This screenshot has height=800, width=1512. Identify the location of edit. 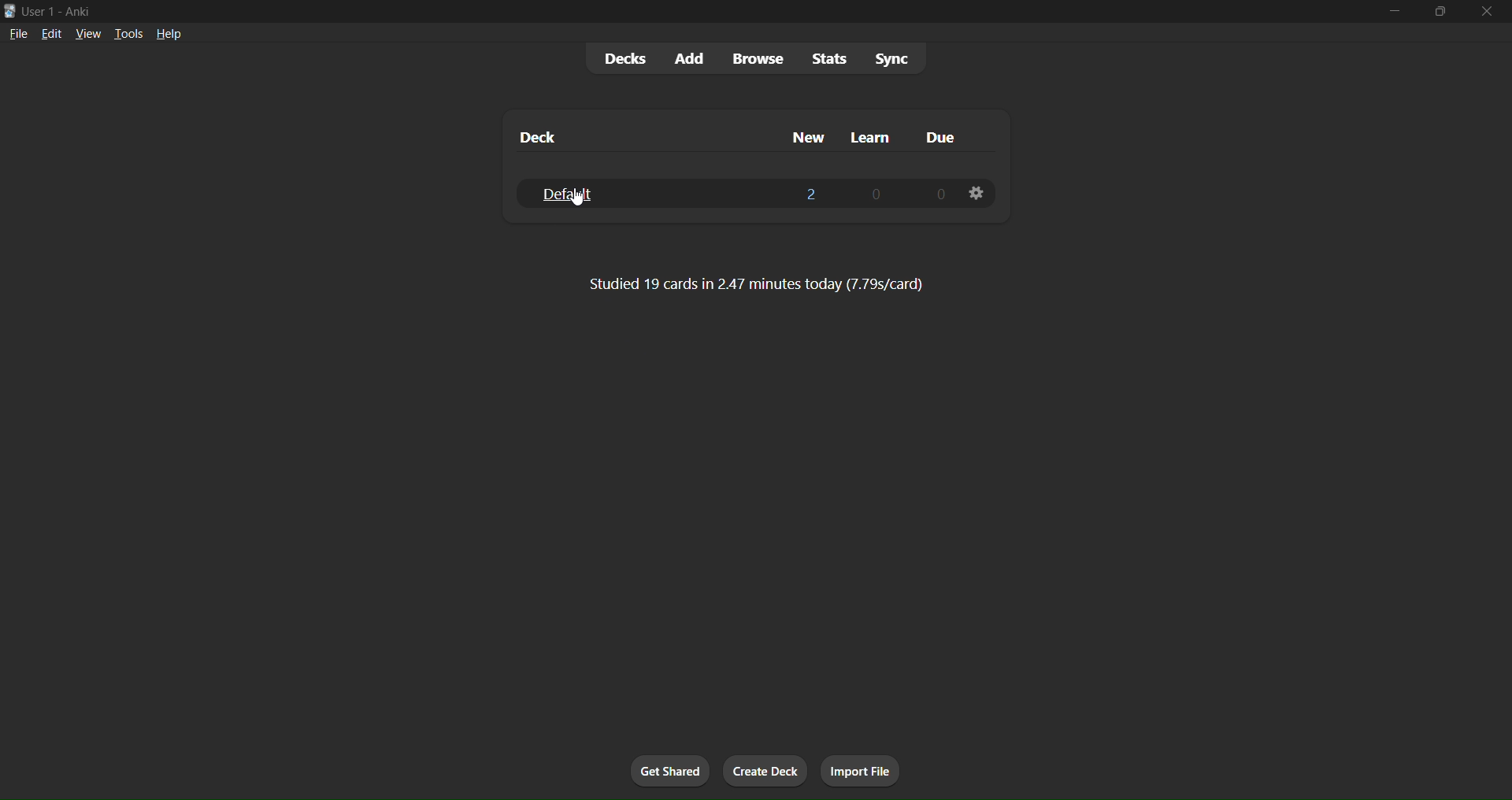
(51, 36).